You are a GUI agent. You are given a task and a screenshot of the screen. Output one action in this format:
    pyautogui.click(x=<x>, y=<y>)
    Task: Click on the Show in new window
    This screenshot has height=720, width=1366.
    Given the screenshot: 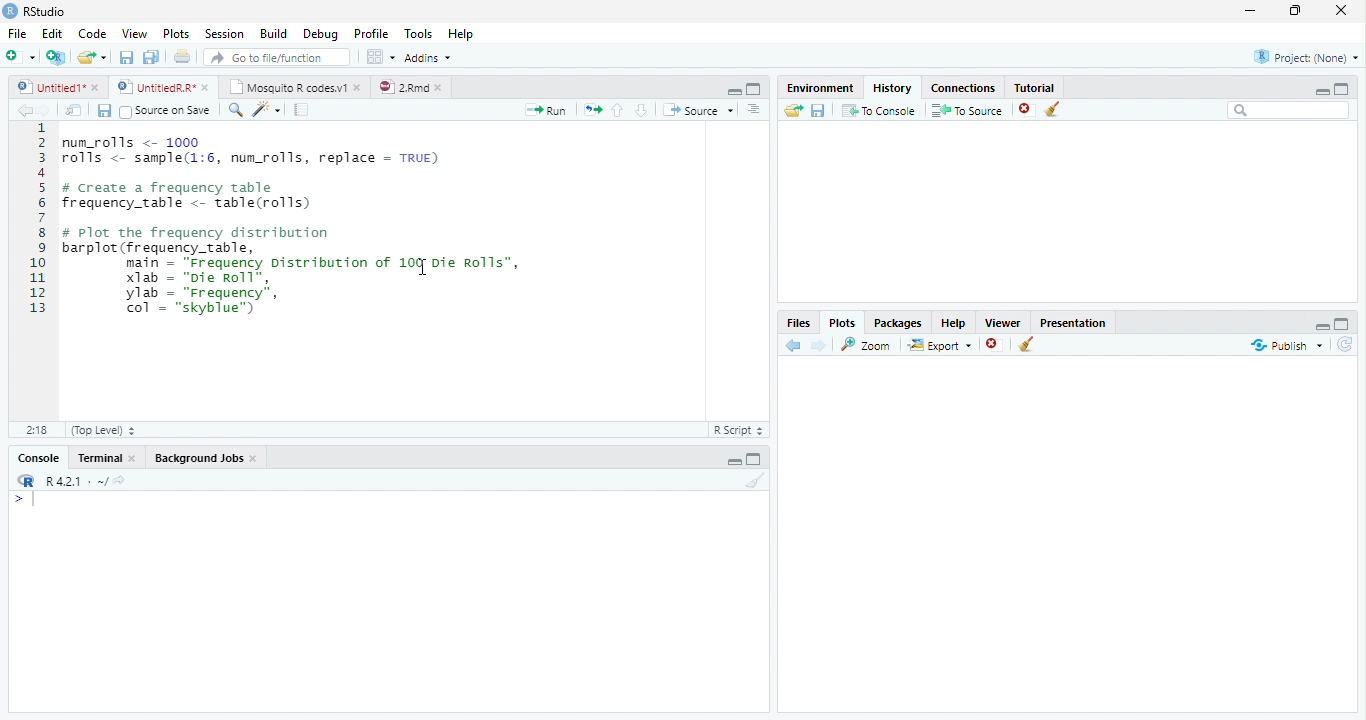 What is the action you would take?
    pyautogui.click(x=76, y=110)
    